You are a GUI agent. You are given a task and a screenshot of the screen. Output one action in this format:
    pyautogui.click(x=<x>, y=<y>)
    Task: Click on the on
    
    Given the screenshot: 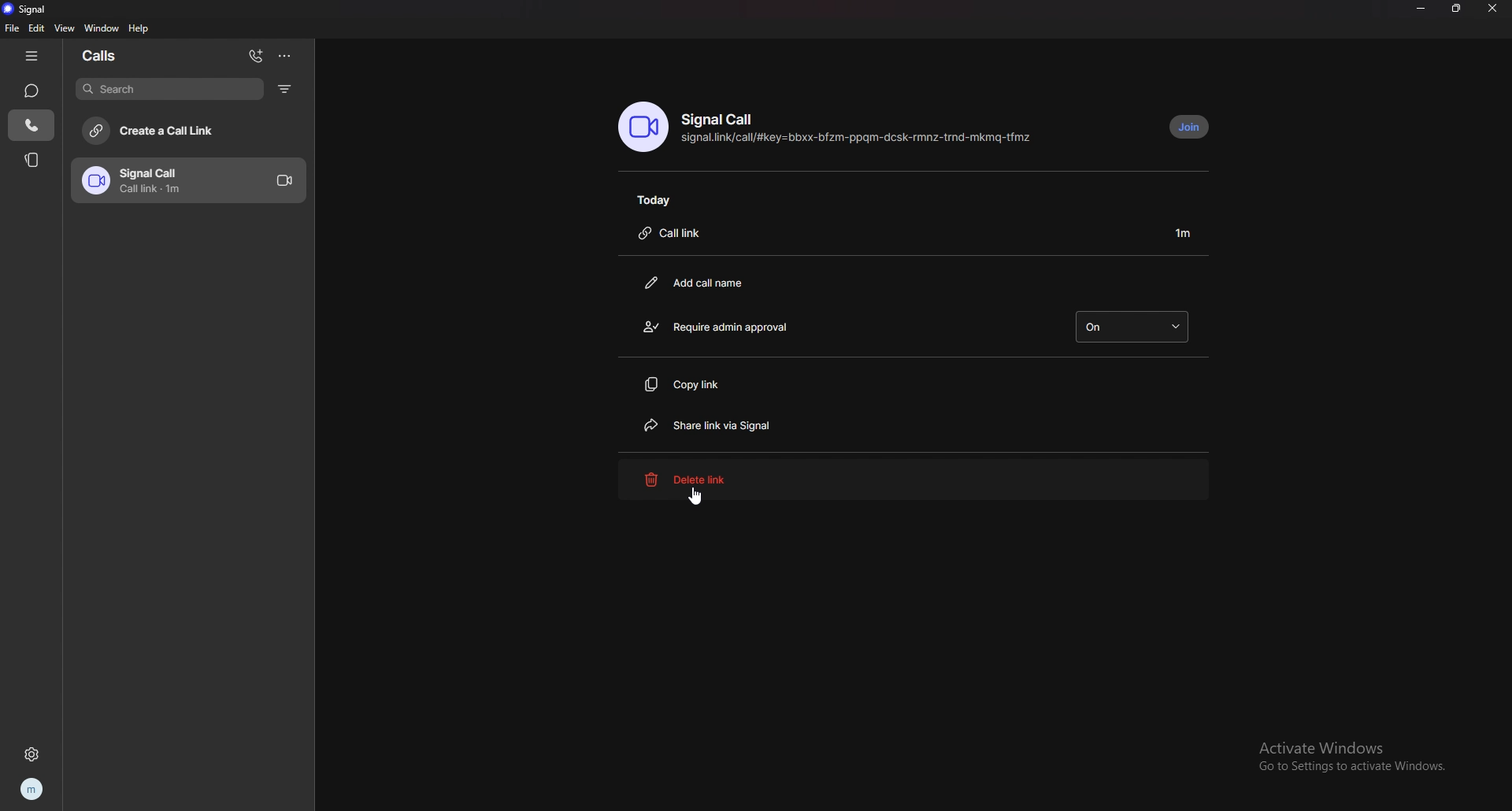 What is the action you would take?
    pyautogui.click(x=1136, y=325)
    